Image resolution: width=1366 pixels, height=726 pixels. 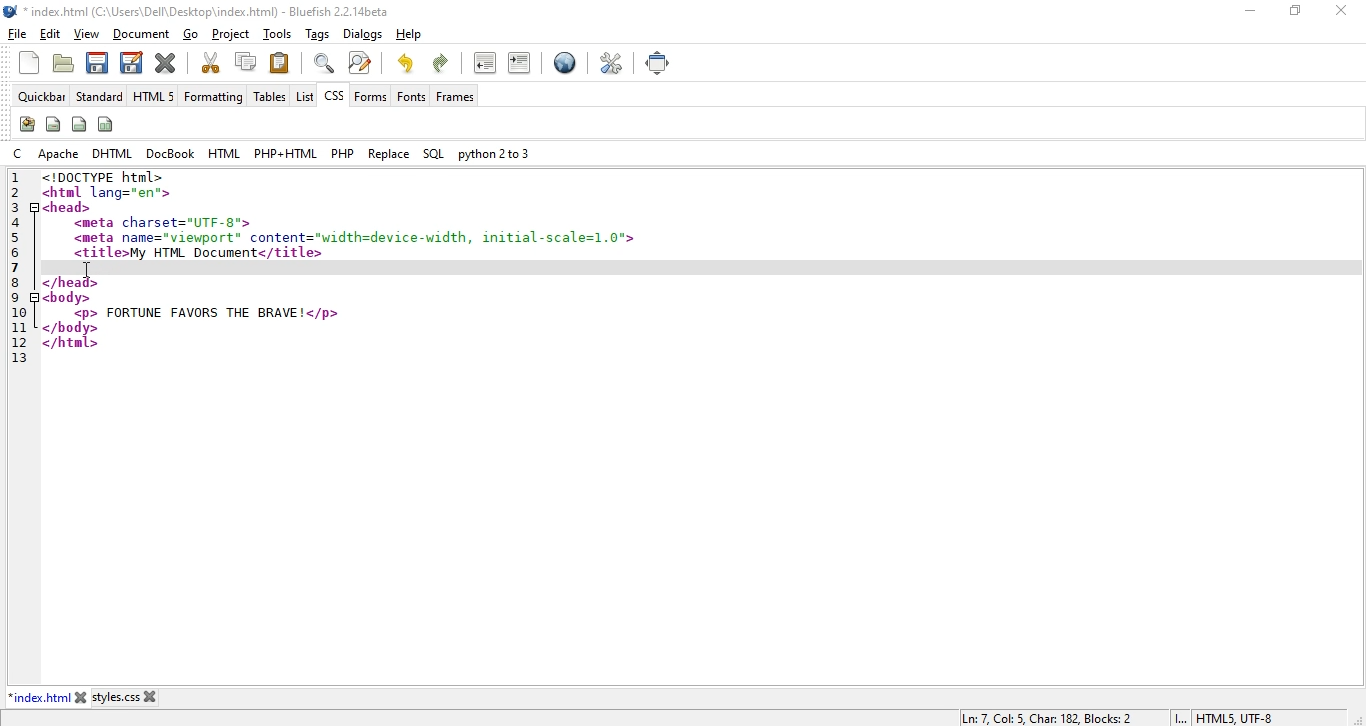 What do you see at coordinates (565, 65) in the screenshot?
I see `preview in browser` at bounding box center [565, 65].